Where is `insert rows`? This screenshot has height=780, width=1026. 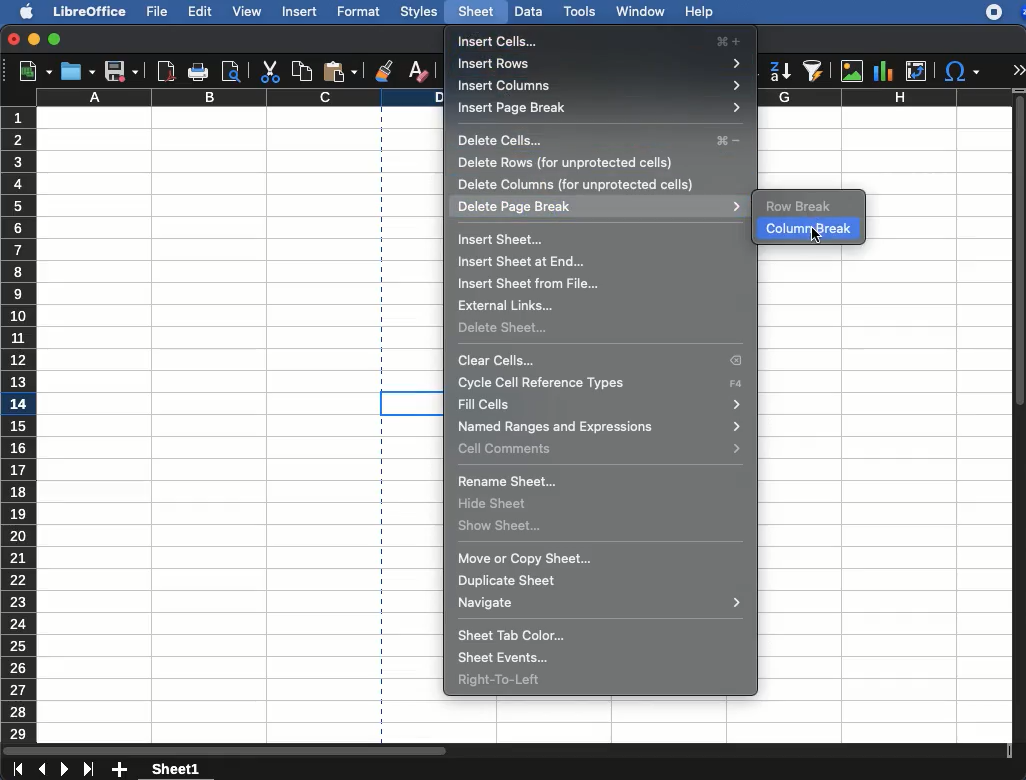 insert rows is located at coordinates (600, 63).